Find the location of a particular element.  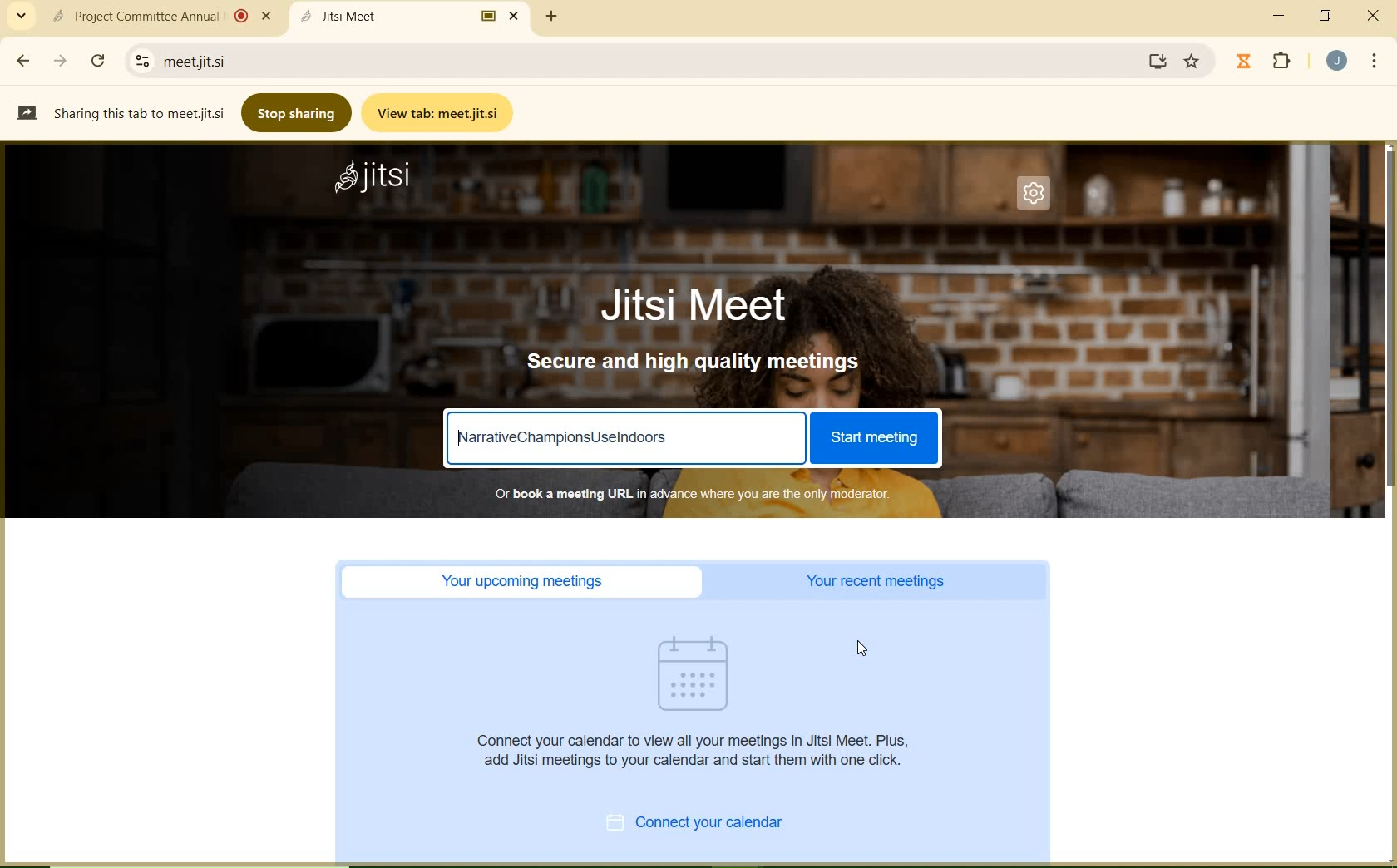

settings is located at coordinates (1039, 200).